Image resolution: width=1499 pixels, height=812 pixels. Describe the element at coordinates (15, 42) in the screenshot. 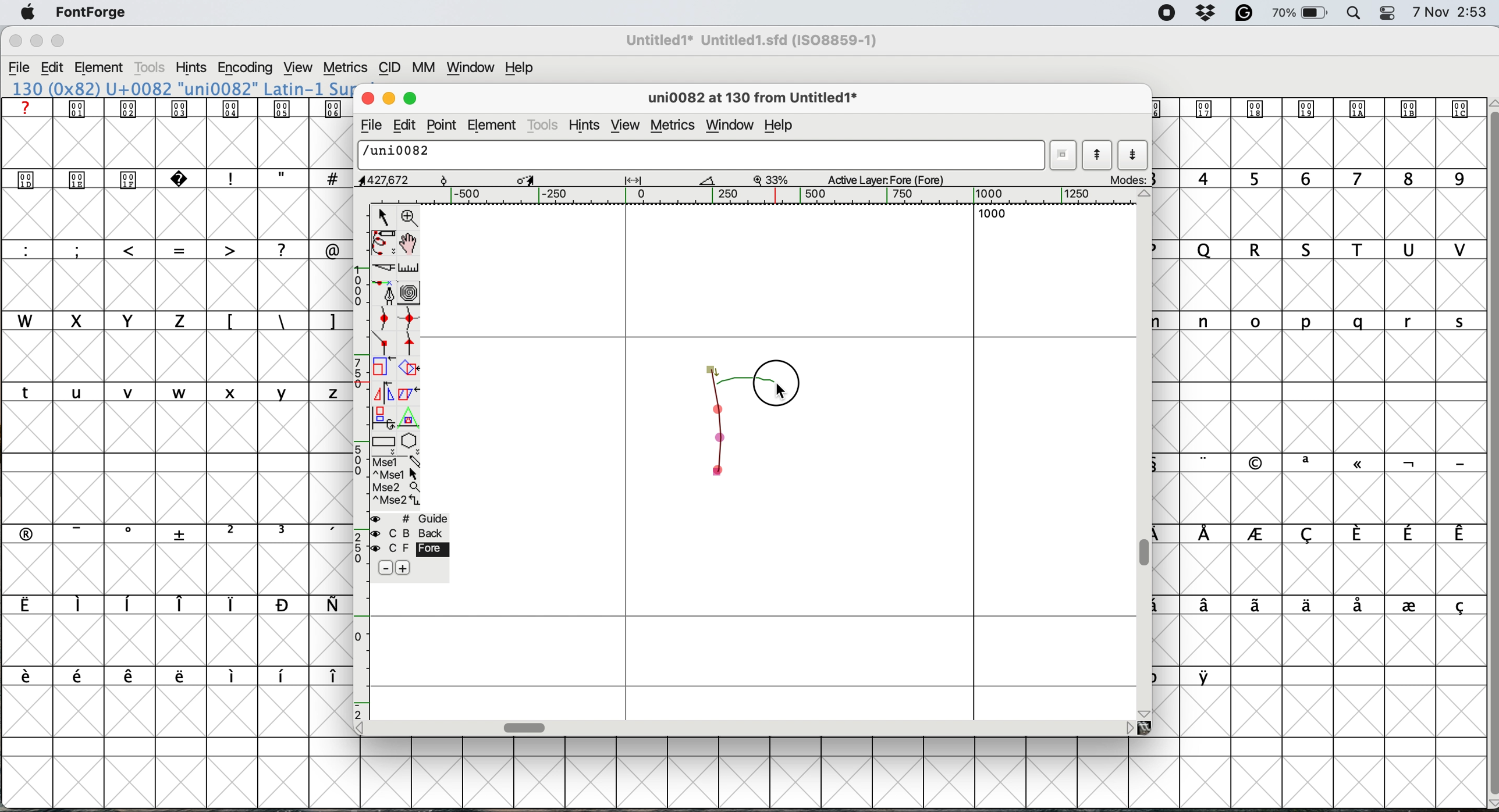

I see `close` at that location.